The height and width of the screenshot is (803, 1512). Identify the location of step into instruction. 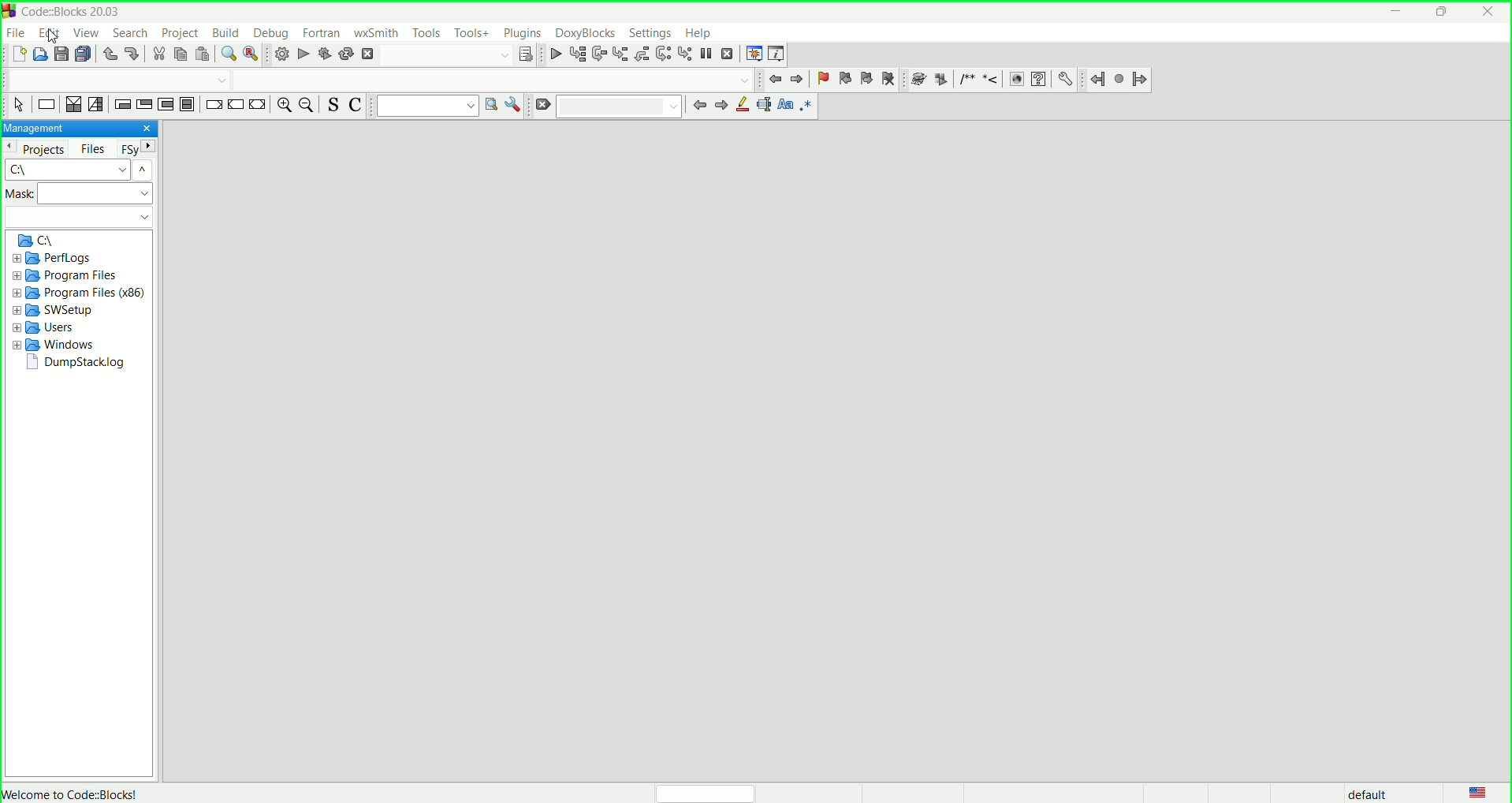
(685, 54).